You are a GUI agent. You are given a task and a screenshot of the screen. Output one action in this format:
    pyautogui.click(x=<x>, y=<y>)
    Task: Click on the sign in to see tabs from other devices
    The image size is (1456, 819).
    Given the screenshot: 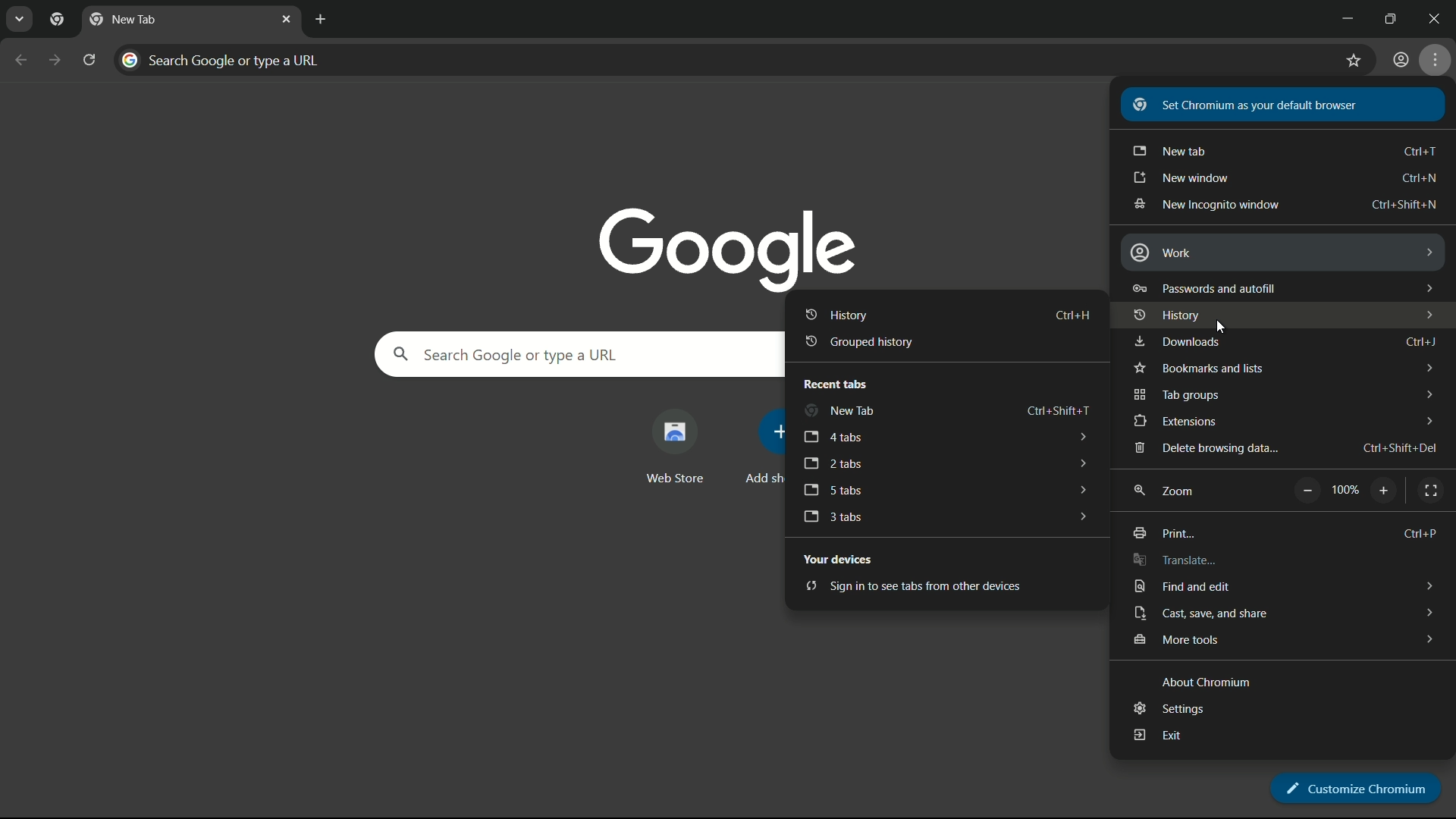 What is the action you would take?
    pyautogui.click(x=905, y=586)
    